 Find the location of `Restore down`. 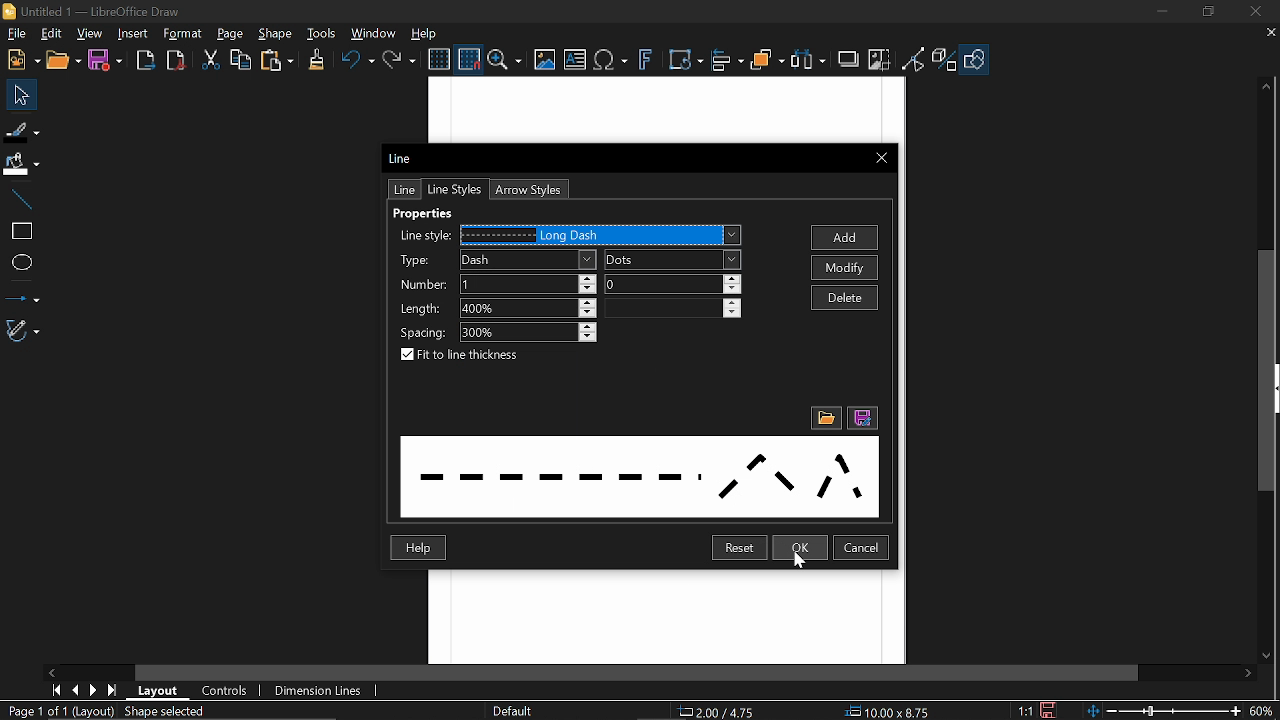

Restore down is located at coordinates (1208, 13).